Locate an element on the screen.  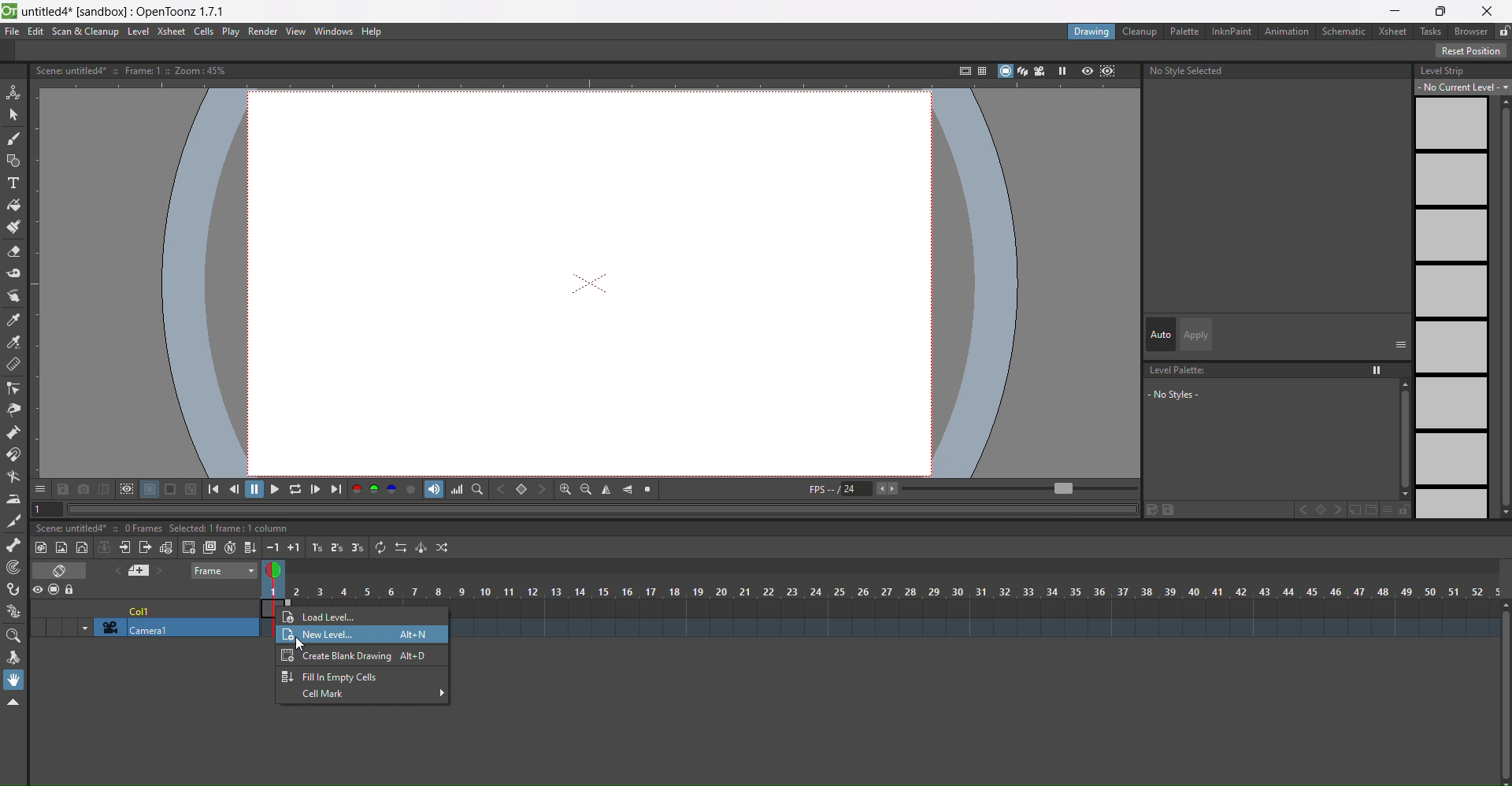
scan & cleanup is located at coordinates (83, 32).